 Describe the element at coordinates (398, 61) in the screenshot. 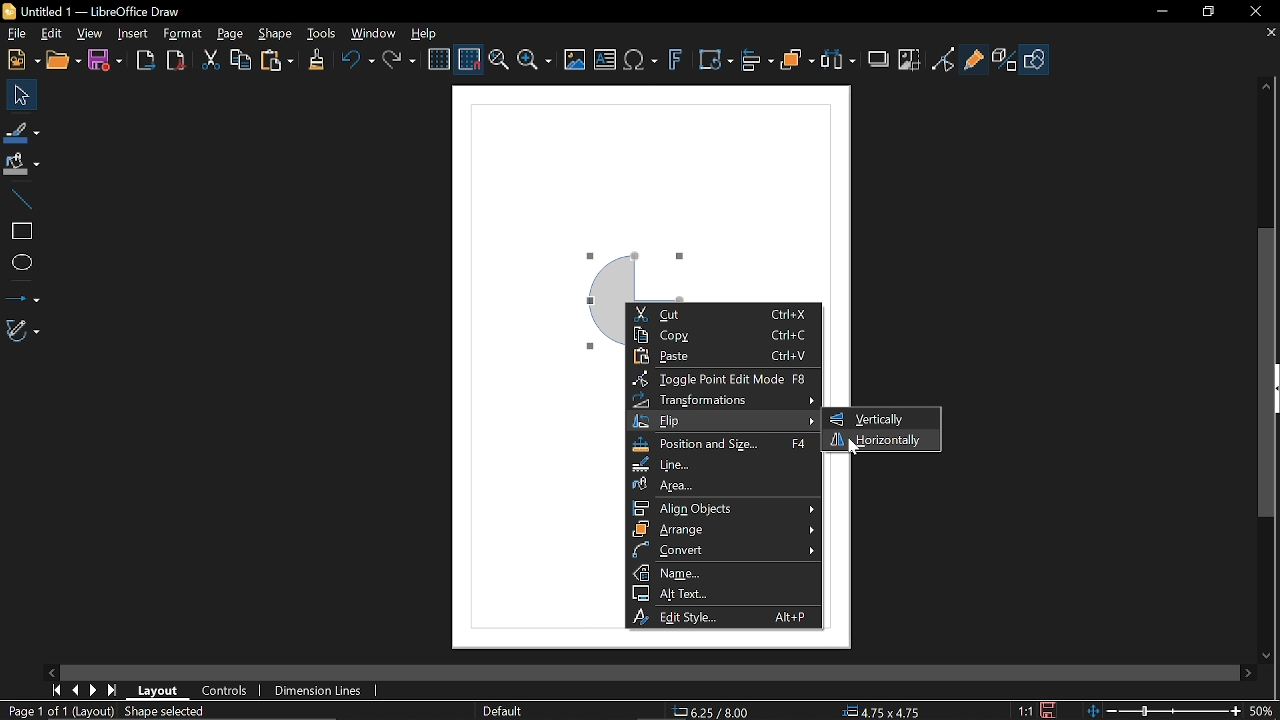

I see `Redo` at that location.